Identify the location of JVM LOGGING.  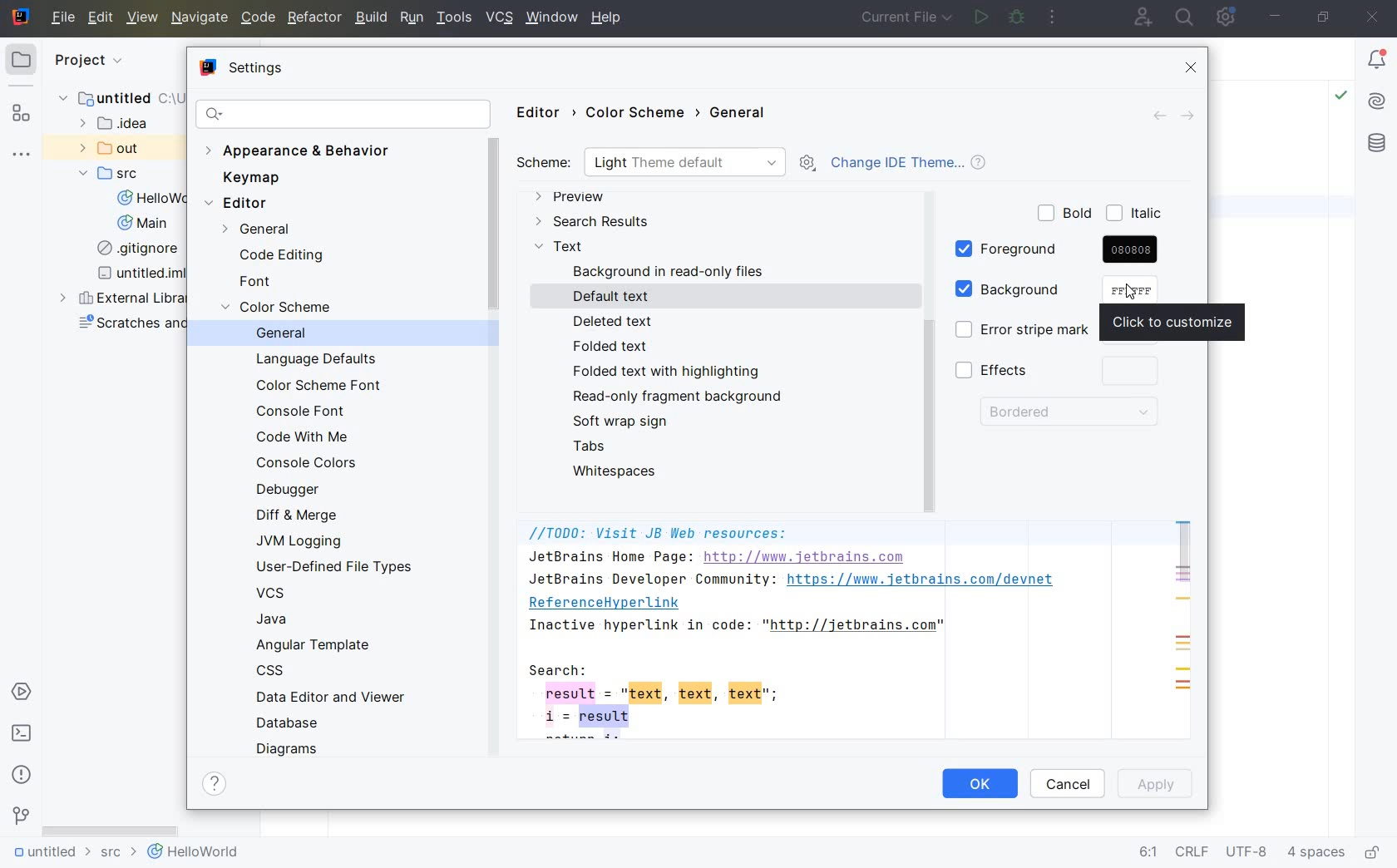
(303, 541).